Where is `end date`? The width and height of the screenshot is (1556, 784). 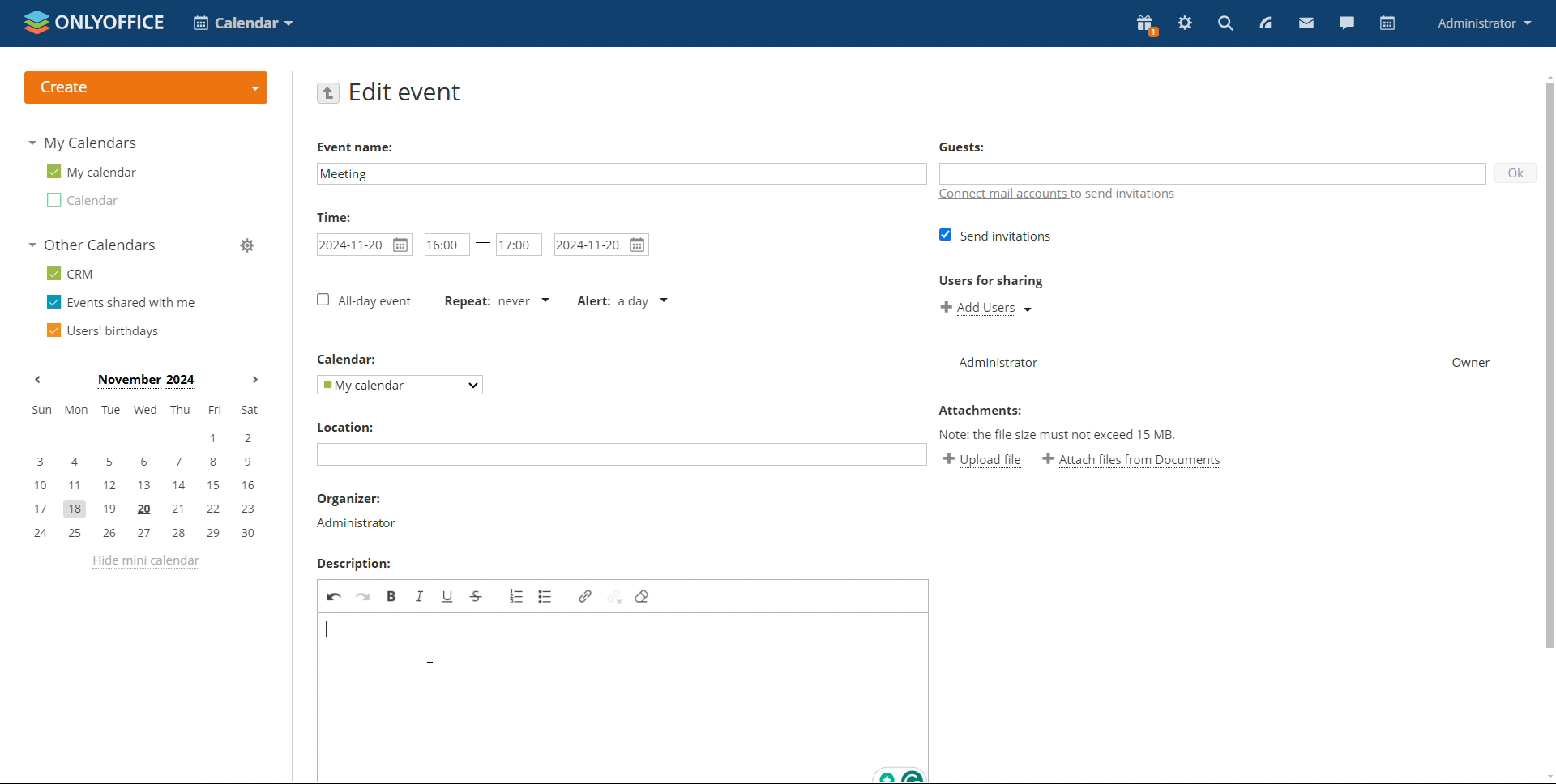
end date is located at coordinates (601, 244).